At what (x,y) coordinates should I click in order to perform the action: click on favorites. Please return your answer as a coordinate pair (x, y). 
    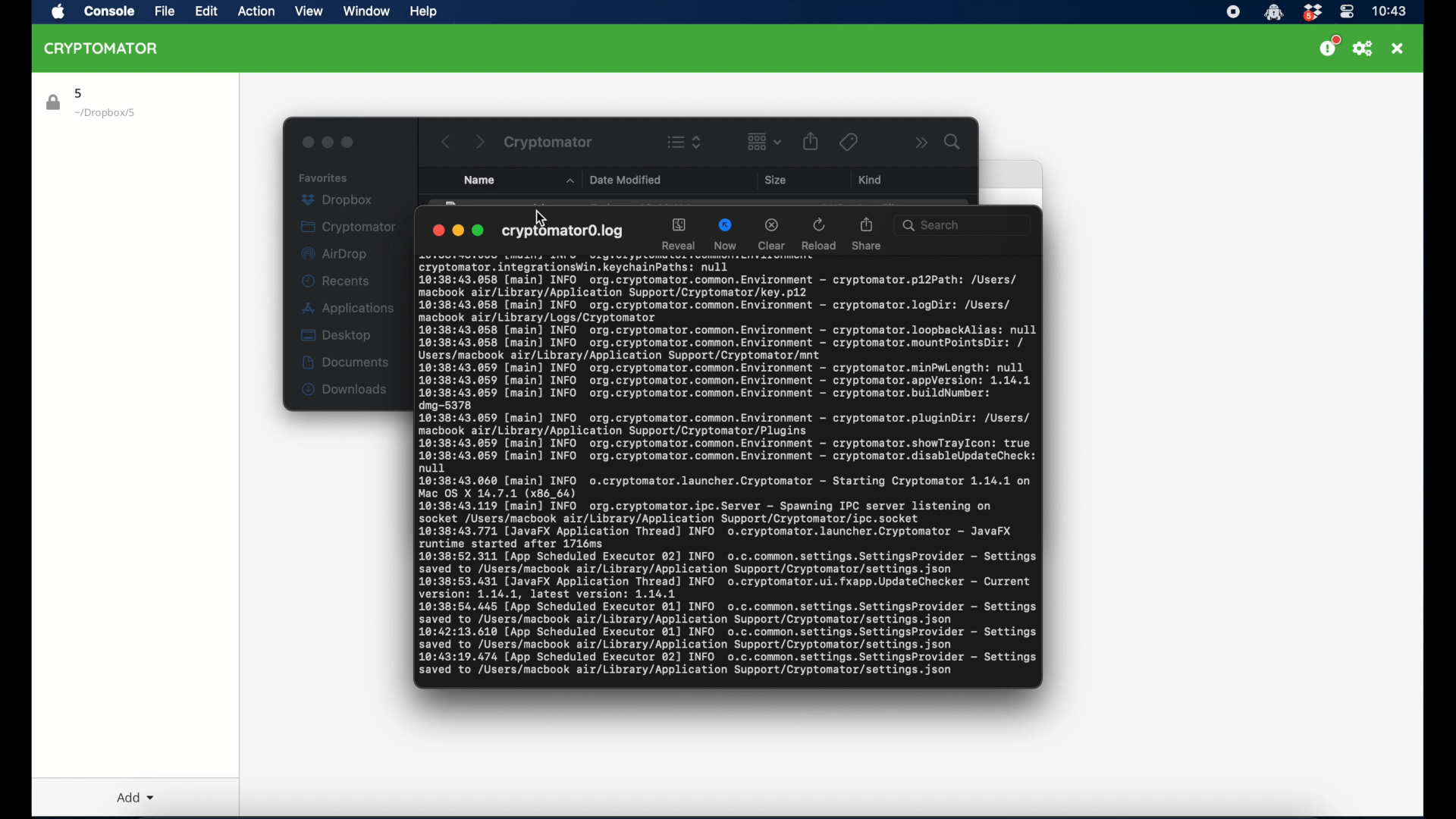
    Looking at the image, I should click on (324, 179).